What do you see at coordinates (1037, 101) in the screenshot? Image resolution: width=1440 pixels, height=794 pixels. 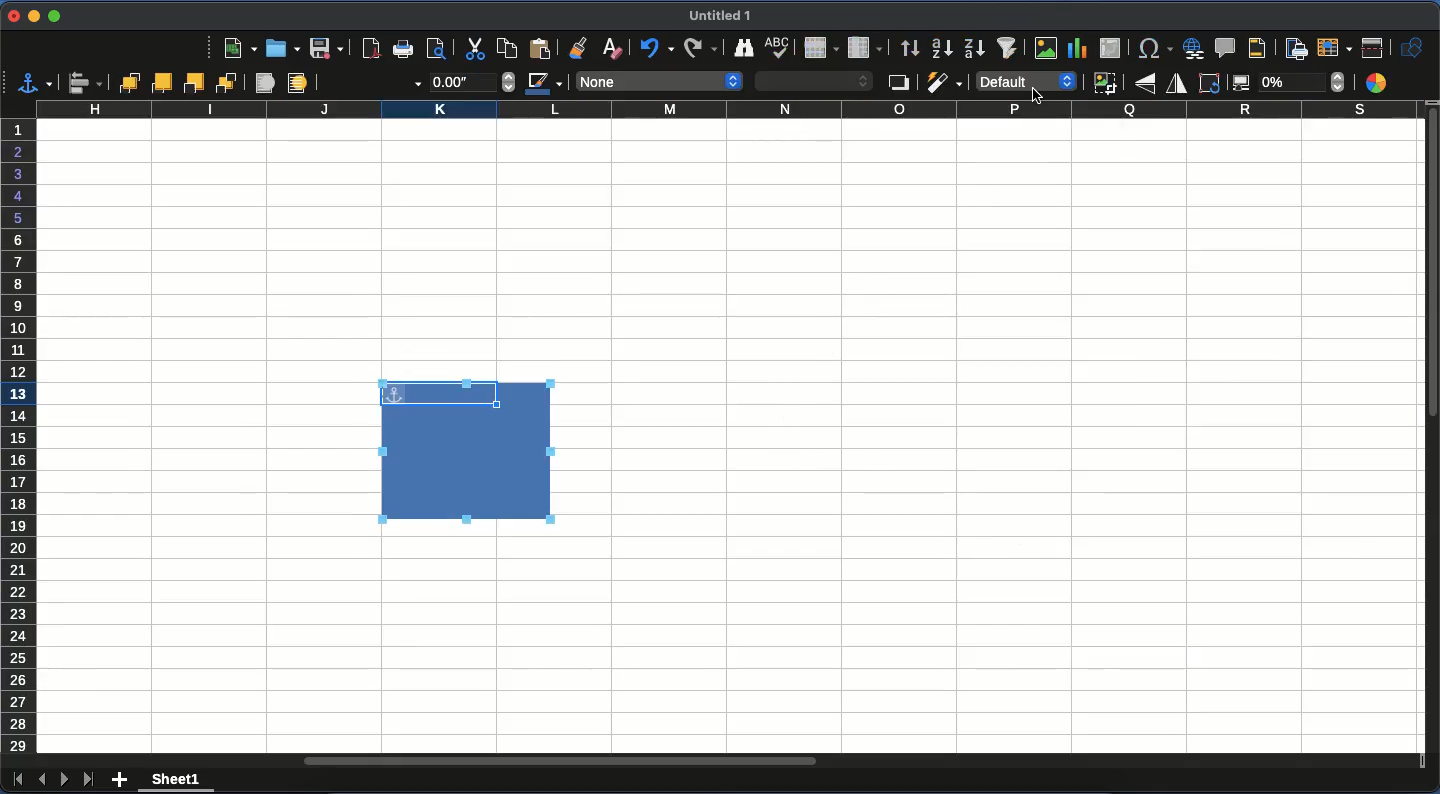 I see `cursor` at bounding box center [1037, 101].